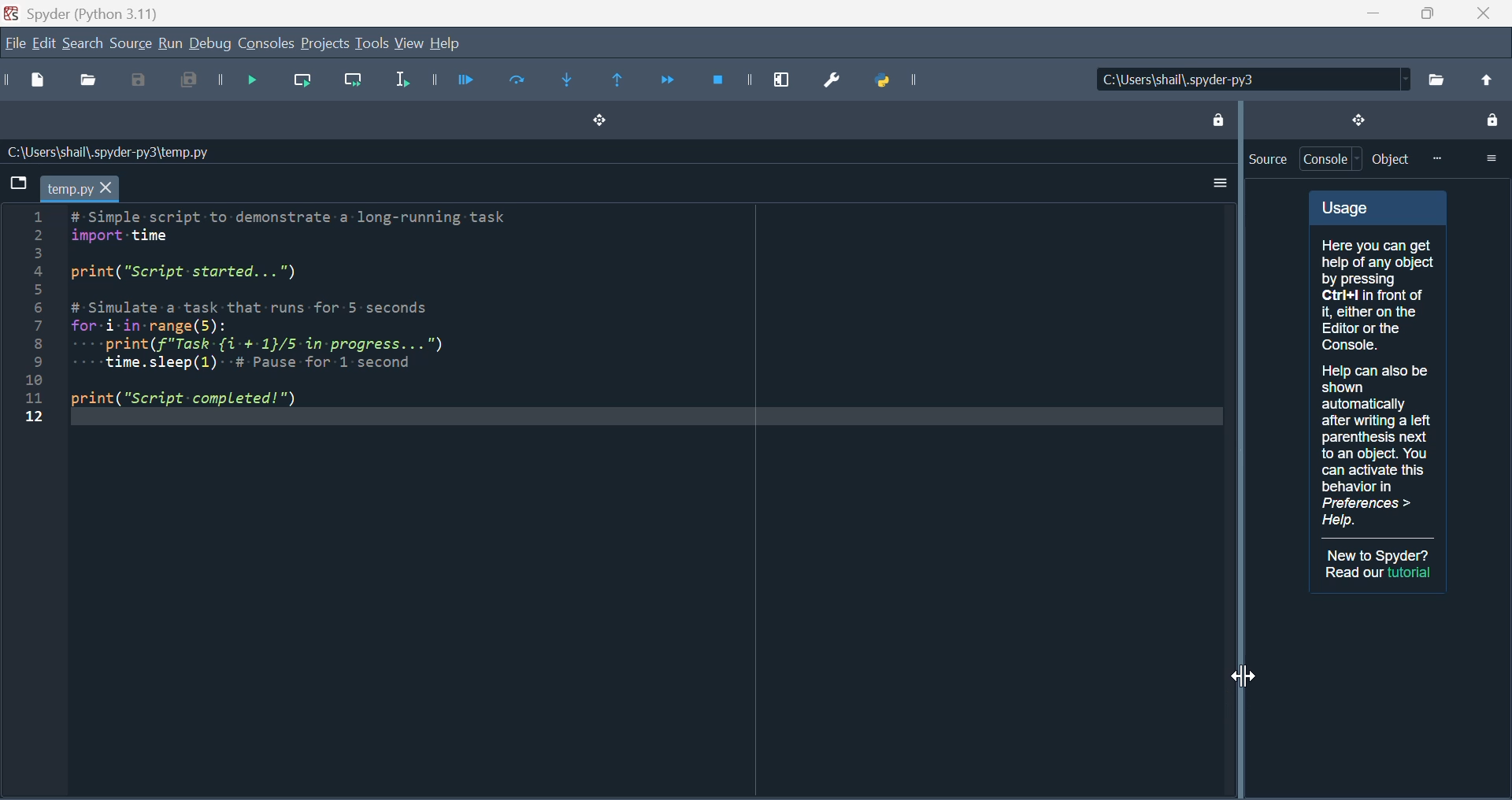 The image size is (1512, 800). What do you see at coordinates (324, 44) in the screenshot?
I see `Projects` at bounding box center [324, 44].